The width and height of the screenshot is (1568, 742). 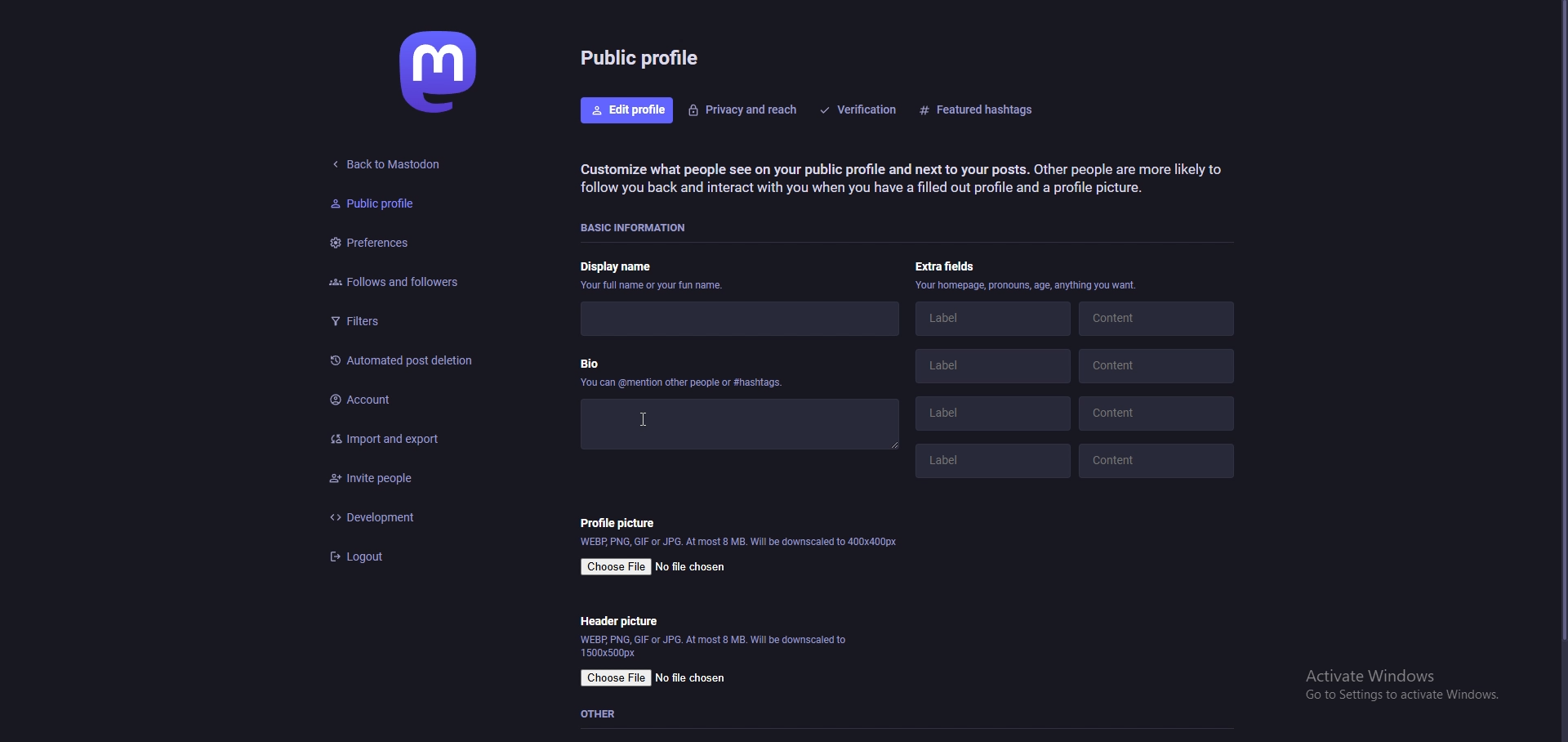 I want to click on basic info, so click(x=637, y=229).